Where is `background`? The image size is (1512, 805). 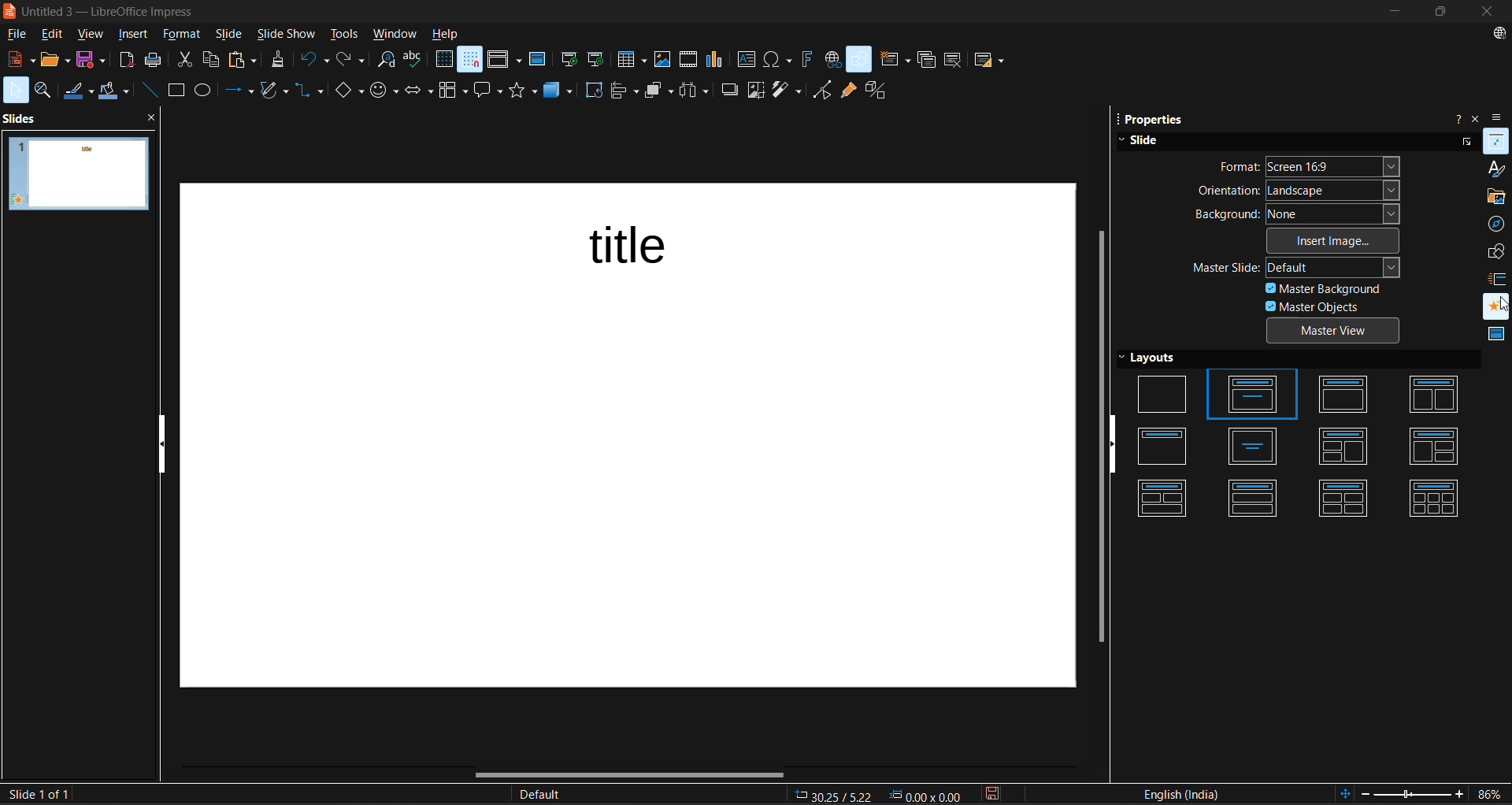 background is located at coordinates (1295, 214).